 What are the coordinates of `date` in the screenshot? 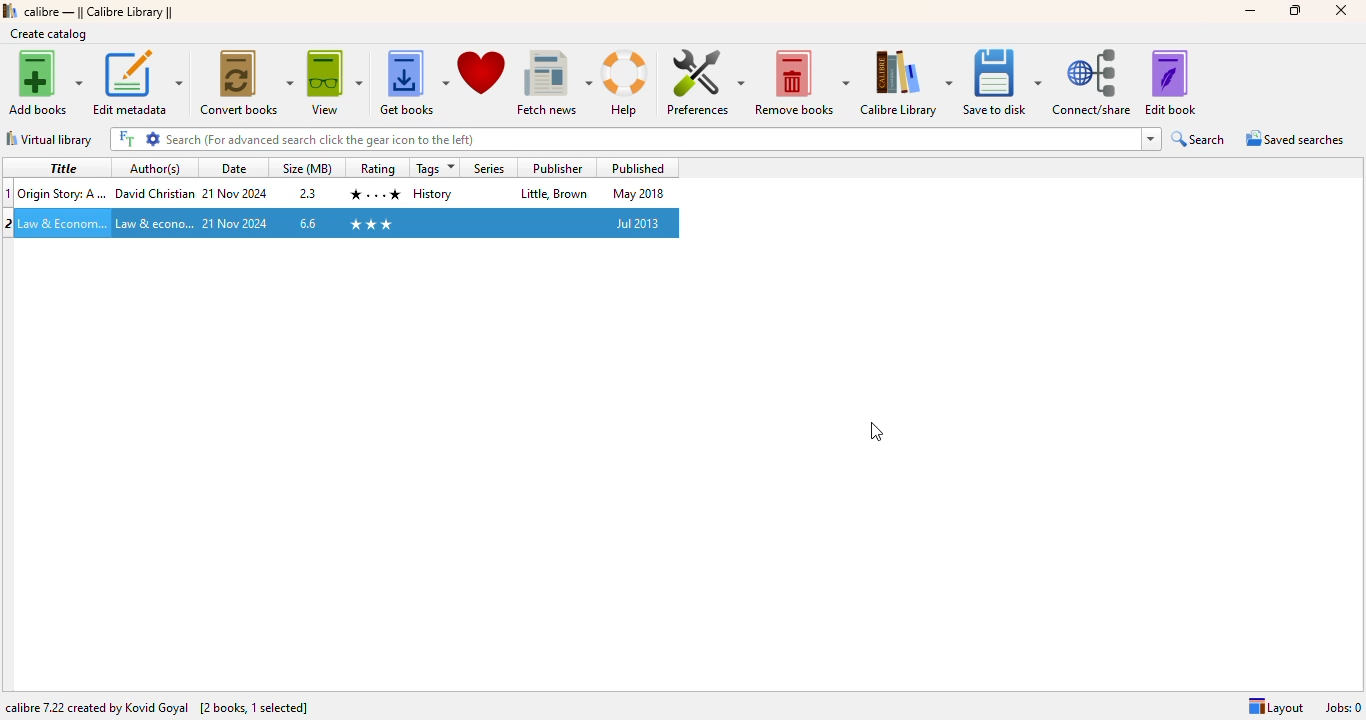 It's located at (236, 224).